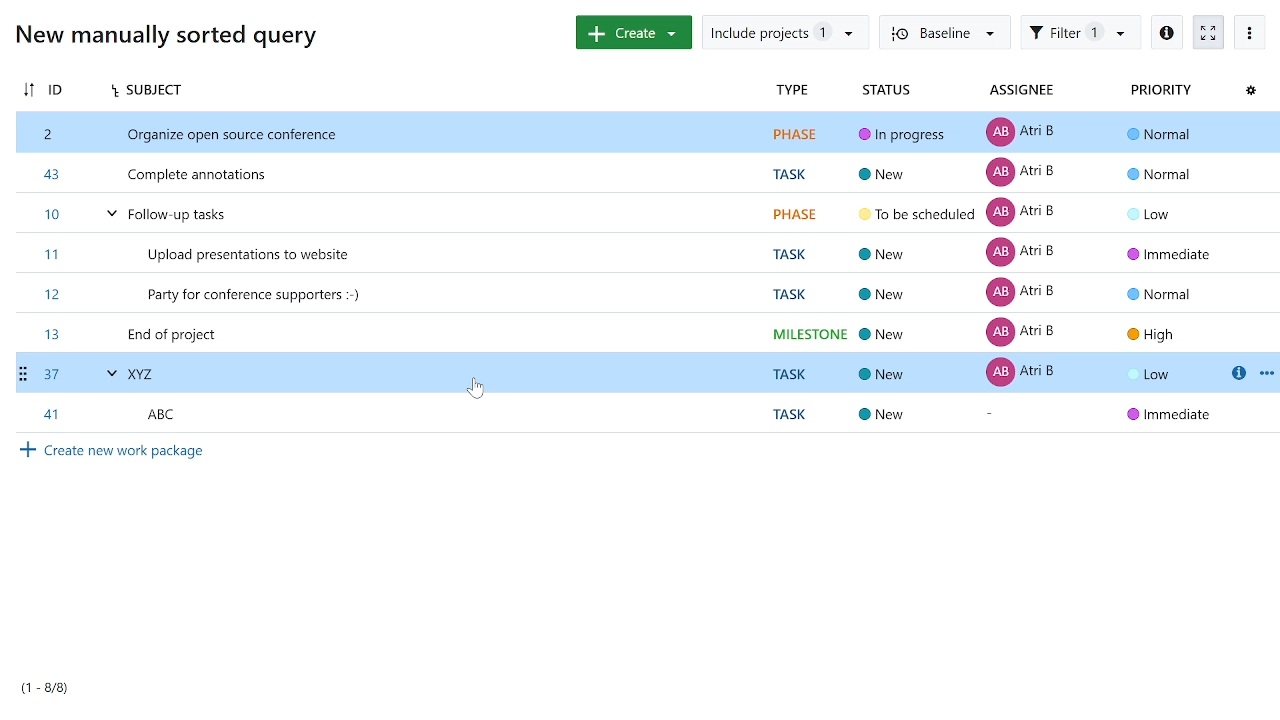 This screenshot has width=1280, height=720. What do you see at coordinates (630, 372) in the screenshot?
I see `task name "XYZ"` at bounding box center [630, 372].